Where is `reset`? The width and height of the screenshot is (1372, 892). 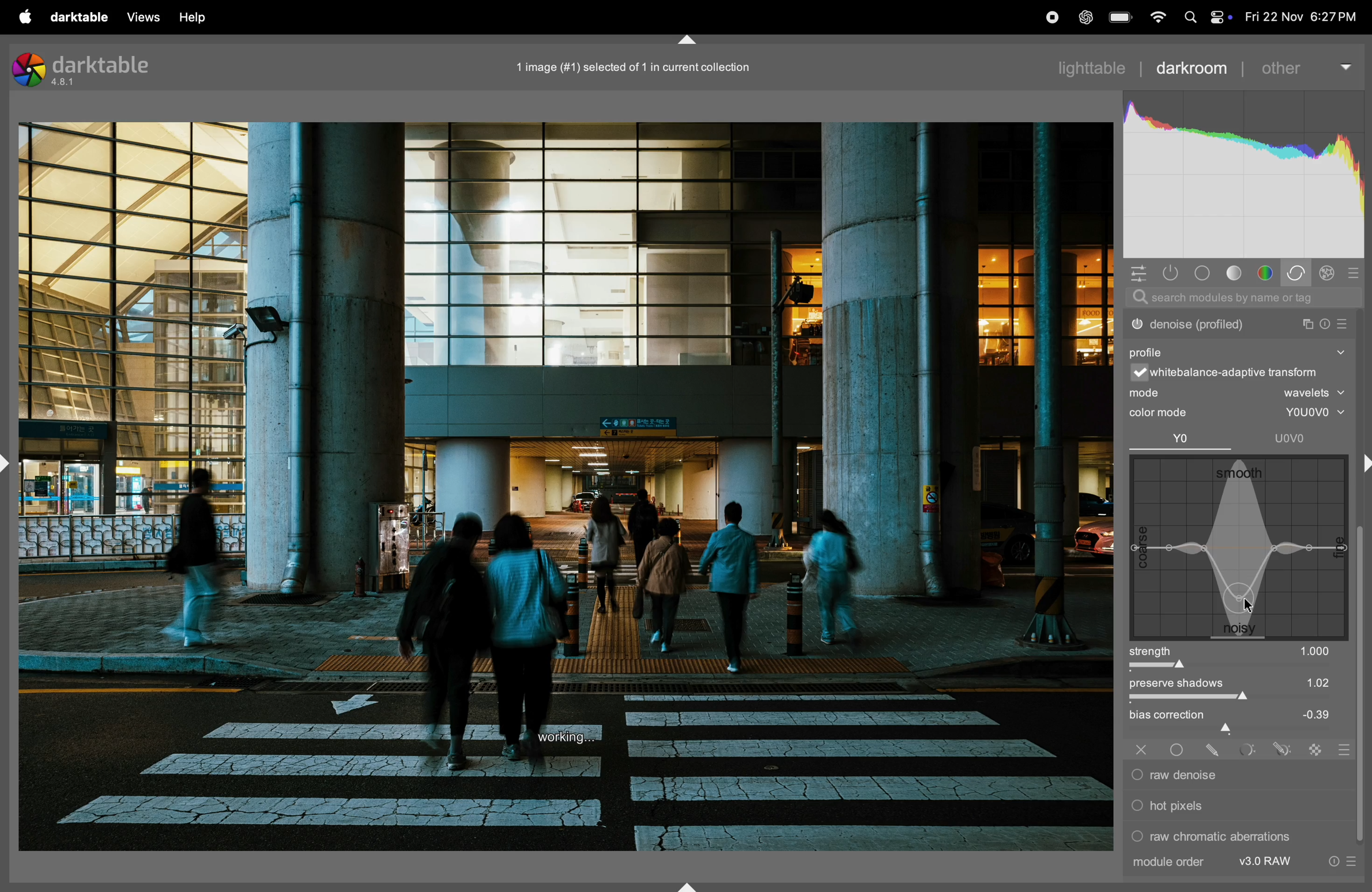
reset is located at coordinates (1336, 861).